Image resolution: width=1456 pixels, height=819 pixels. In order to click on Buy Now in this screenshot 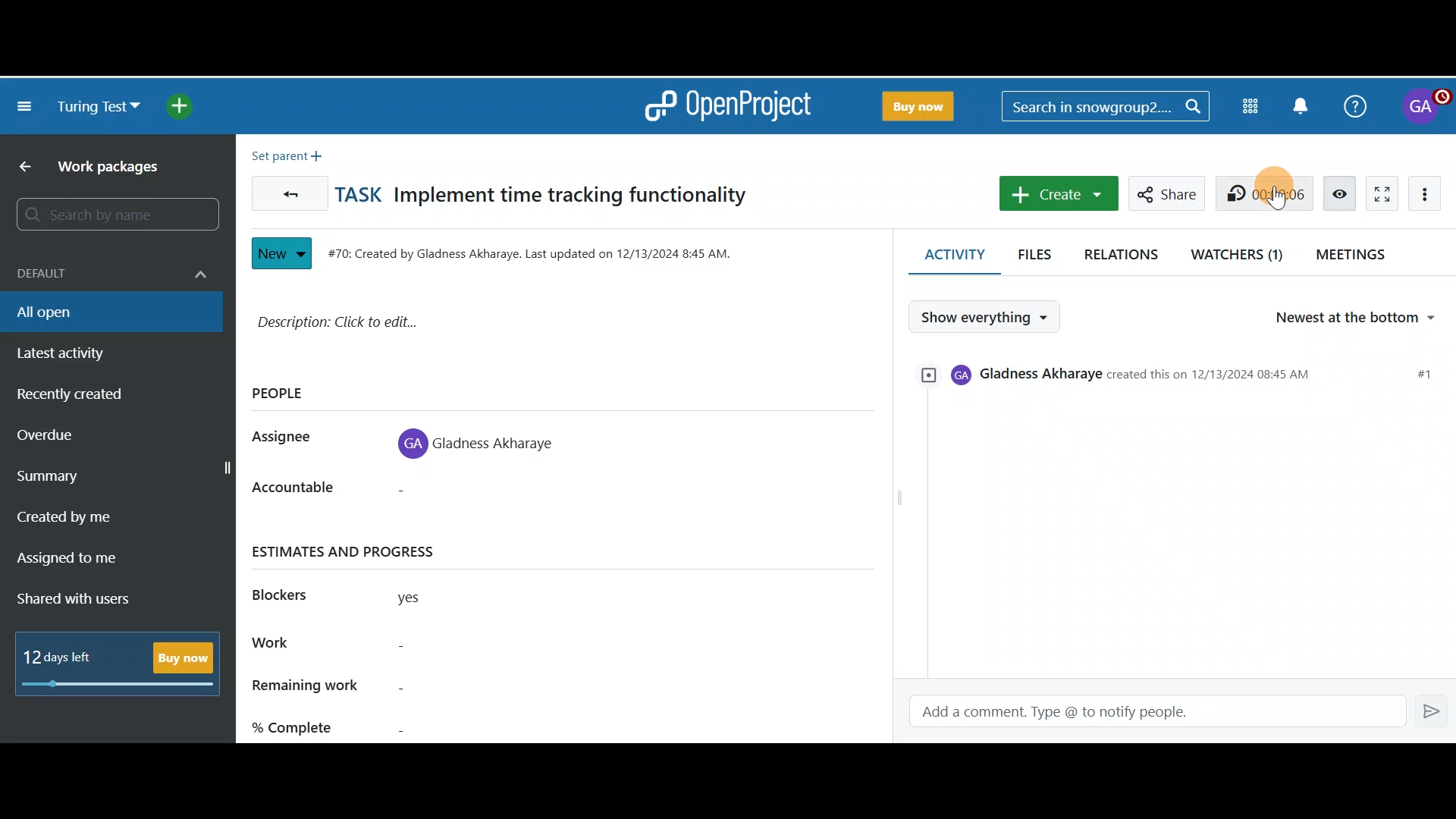, I will do `click(915, 103)`.